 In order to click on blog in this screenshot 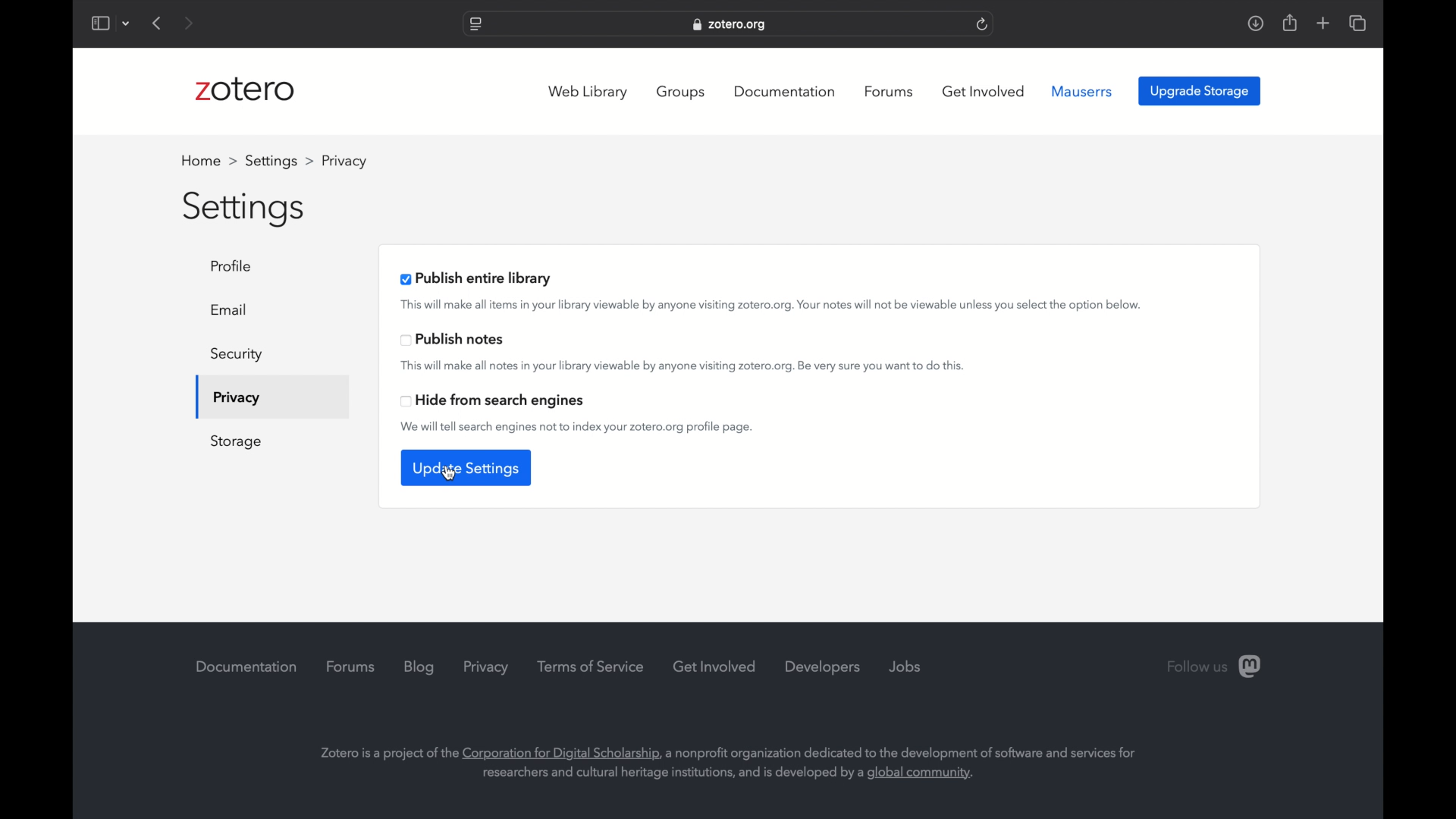, I will do `click(419, 667)`.